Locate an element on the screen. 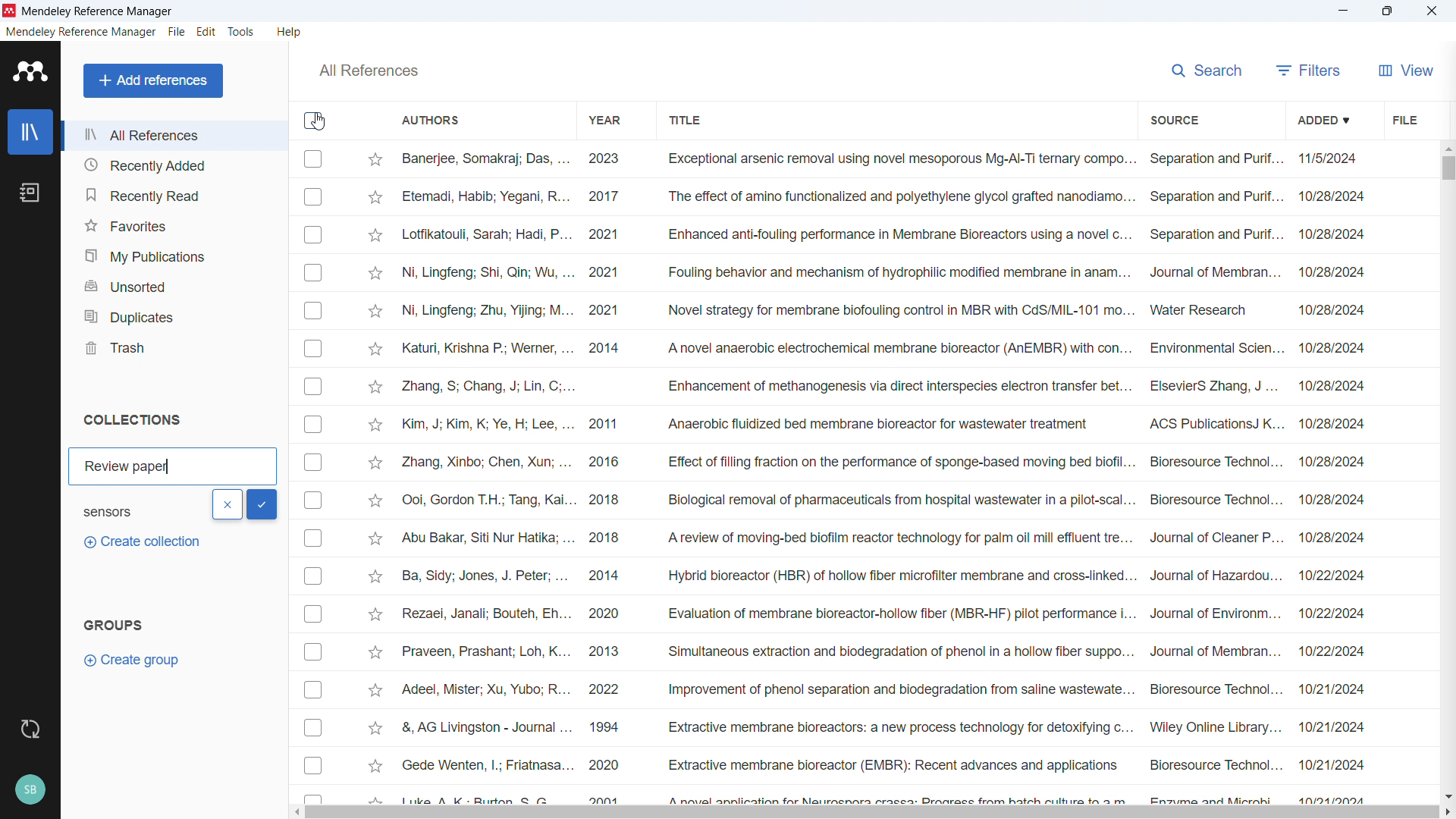 The width and height of the screenshot is (1456, 819). Groups  is located at coordinates (112, 624).